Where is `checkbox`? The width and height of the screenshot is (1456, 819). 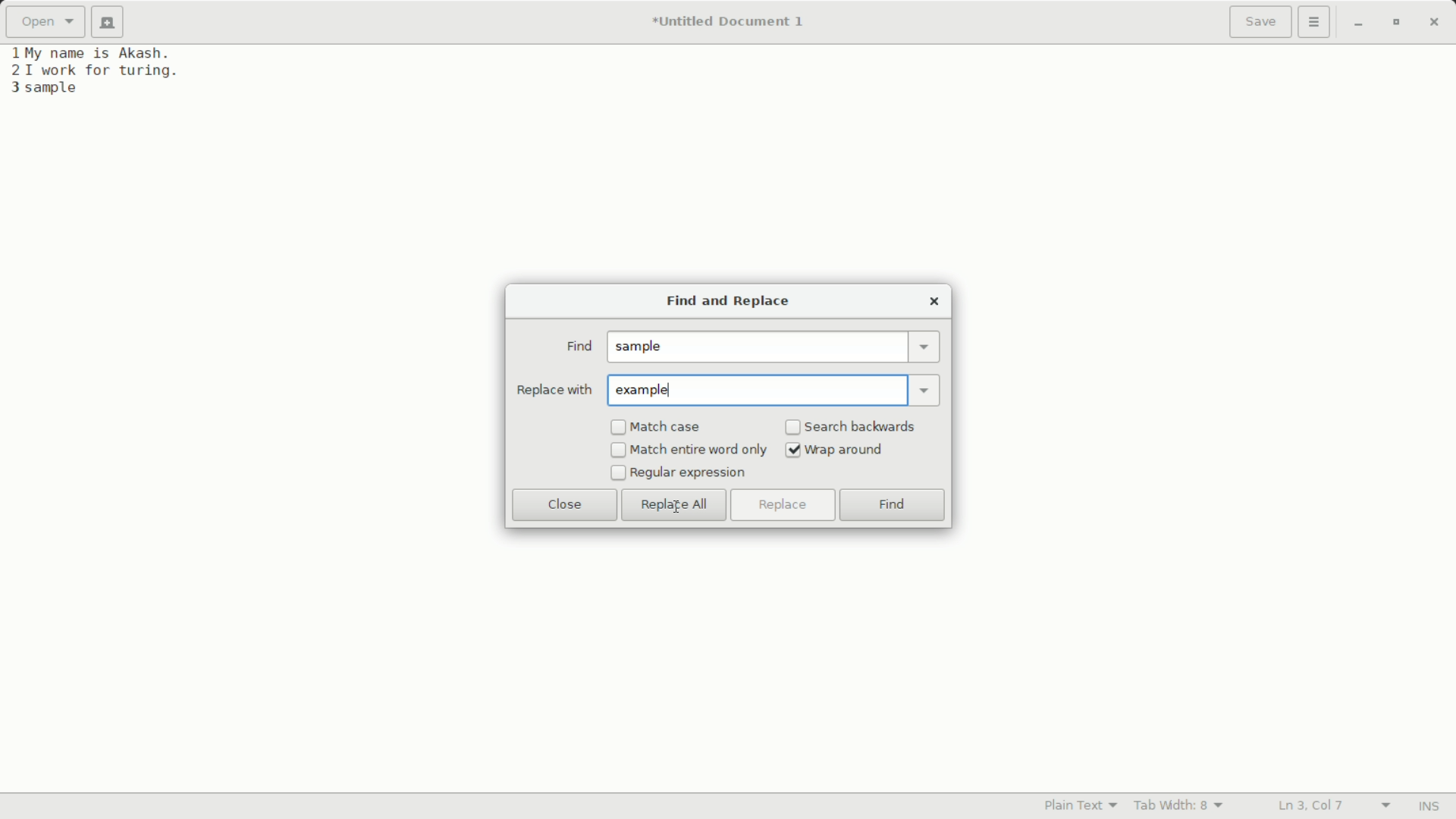 checkbox is located at coordinates (617, 473).